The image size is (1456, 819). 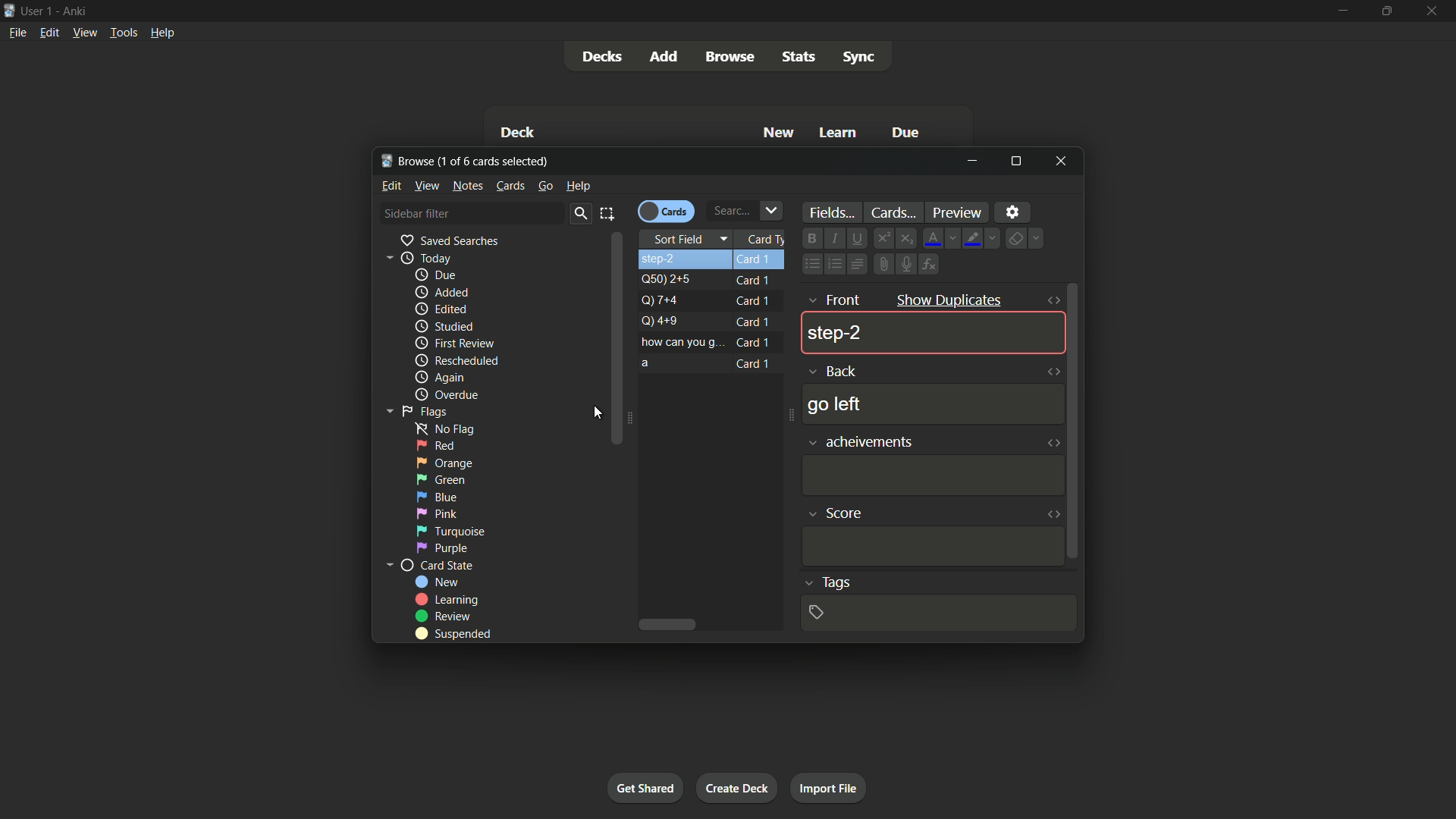 What do you see at coordinates (608, 213) in the screenshot?
I see `select` at bounding box center [608, 213].